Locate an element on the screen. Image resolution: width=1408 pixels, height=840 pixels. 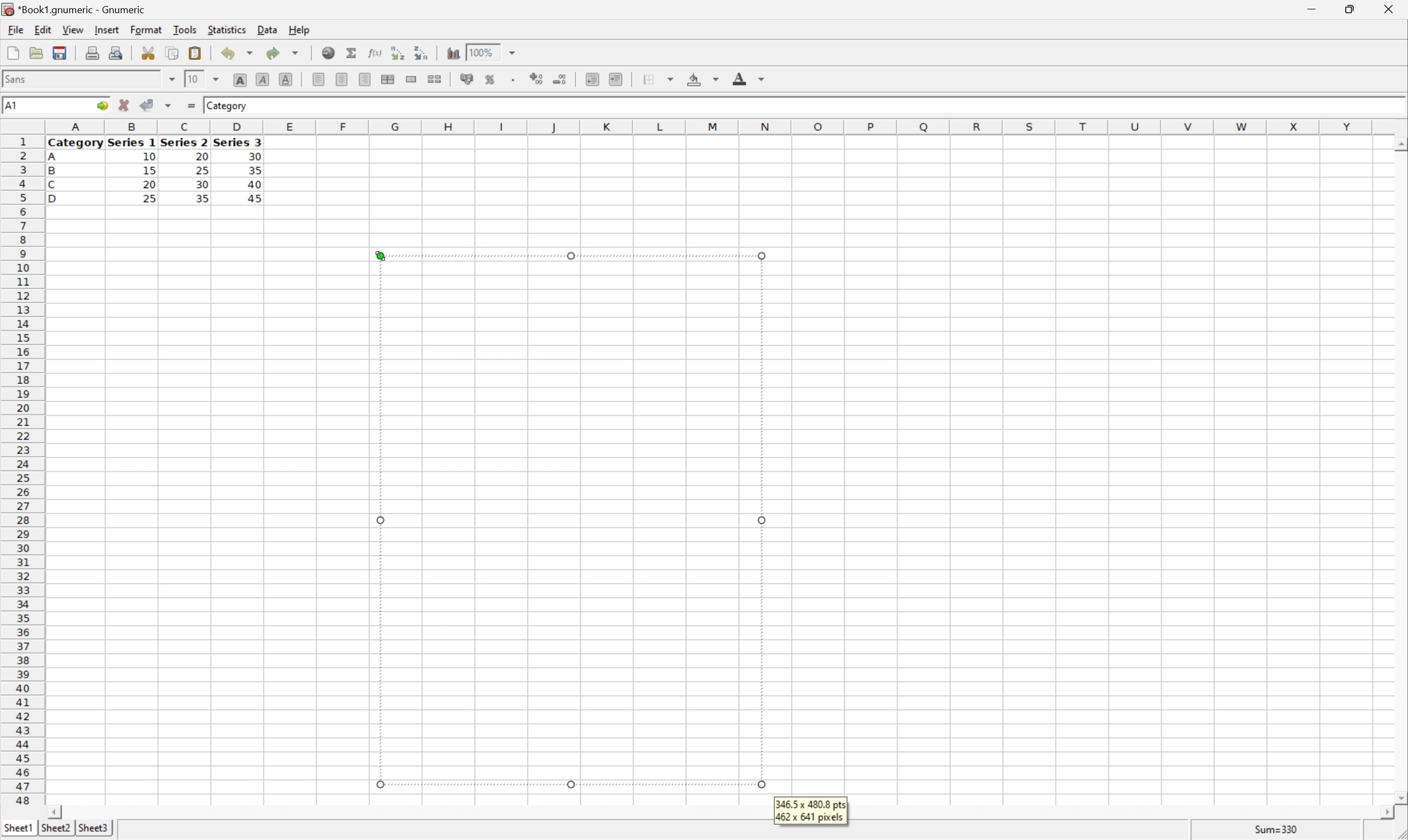
Category is located at coordinates (228, 106).